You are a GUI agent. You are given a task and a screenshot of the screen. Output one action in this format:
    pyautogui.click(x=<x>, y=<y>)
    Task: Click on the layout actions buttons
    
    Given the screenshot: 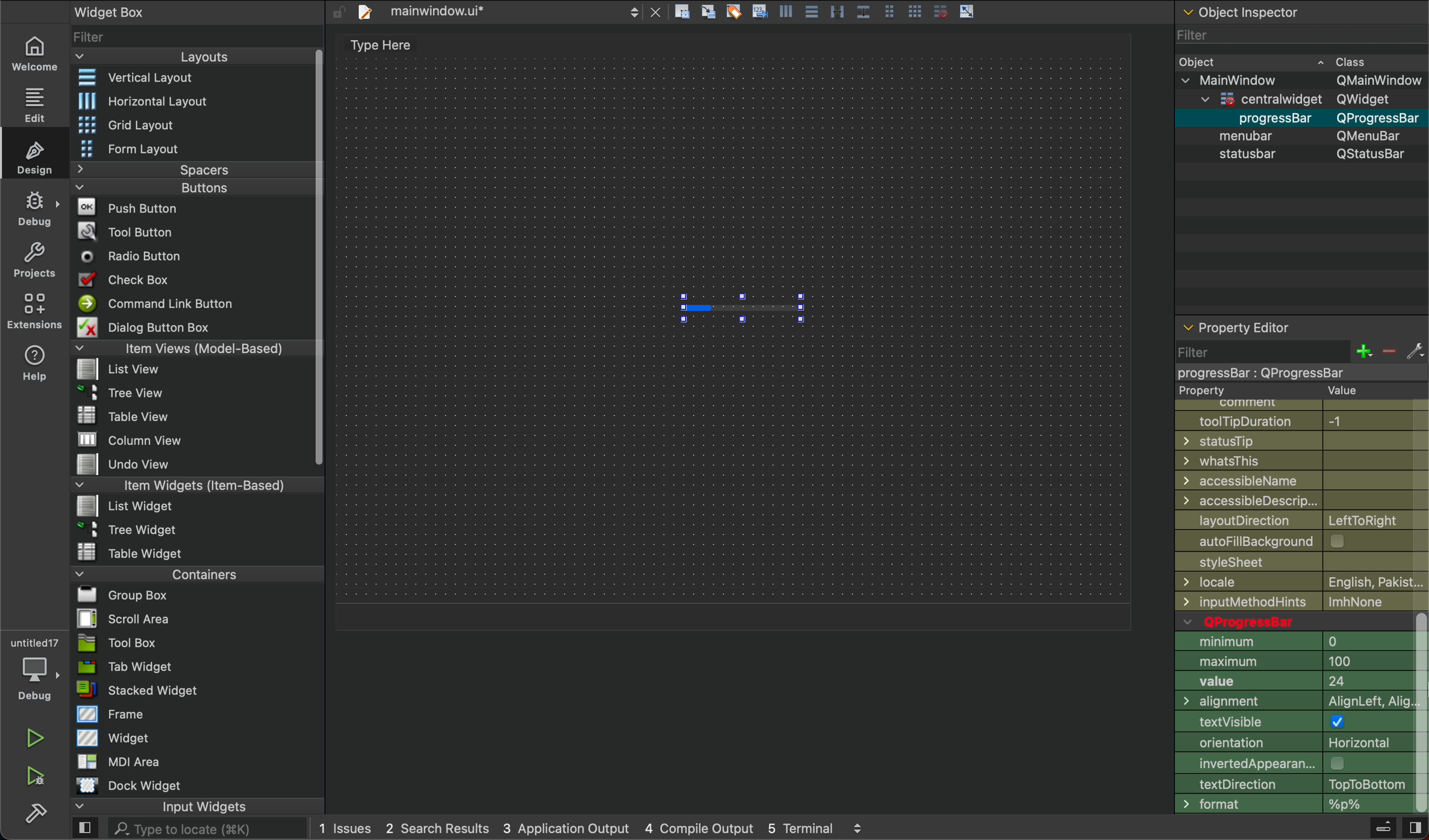 What is the action you would take?
    pyautogui.click(x=824, y=14)
    